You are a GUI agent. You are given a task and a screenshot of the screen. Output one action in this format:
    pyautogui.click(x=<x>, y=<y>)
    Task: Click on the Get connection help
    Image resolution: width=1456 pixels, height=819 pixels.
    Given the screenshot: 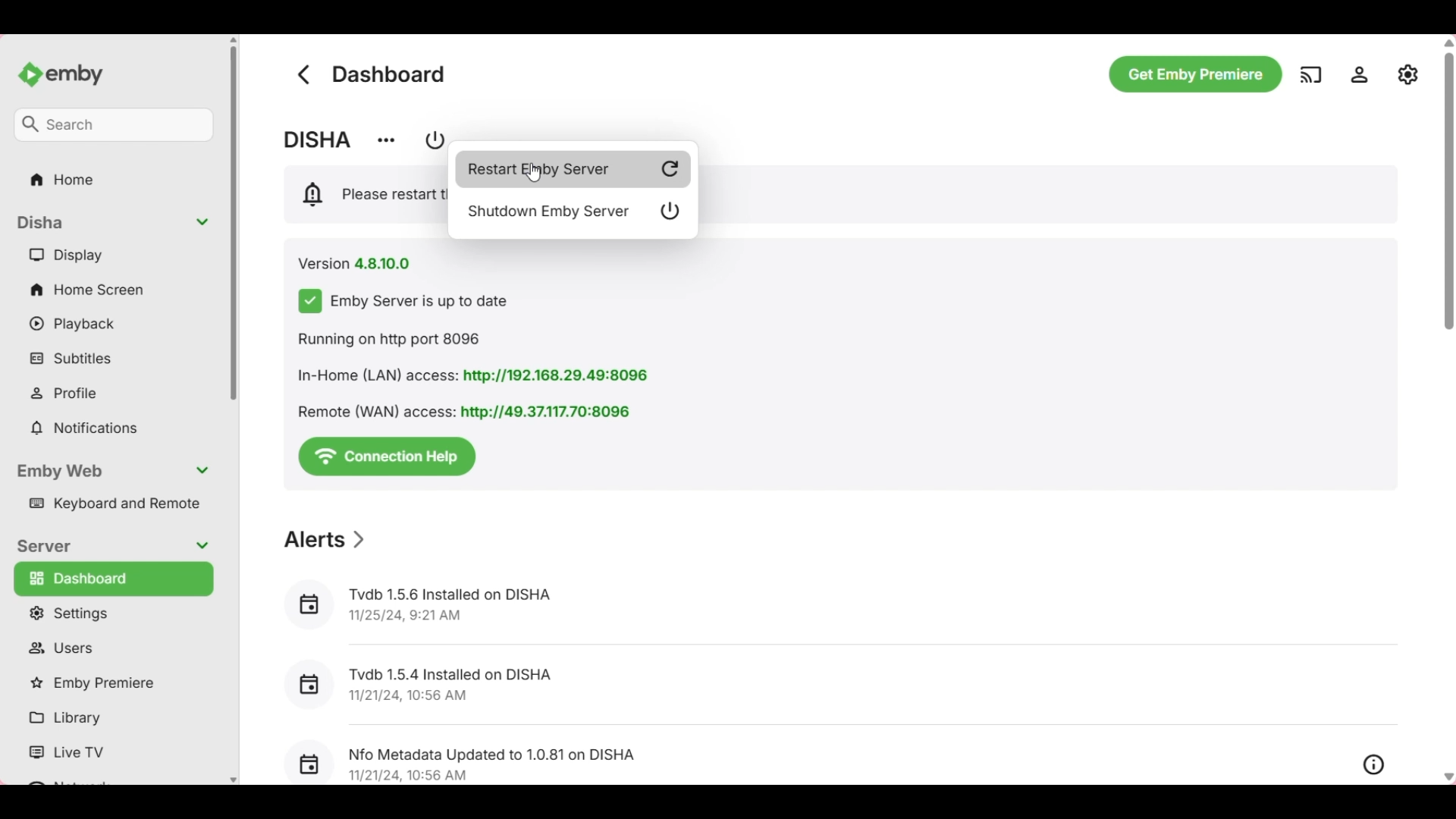 What is the action you would take?
    pyautogui.click(x=387, y=457)
    